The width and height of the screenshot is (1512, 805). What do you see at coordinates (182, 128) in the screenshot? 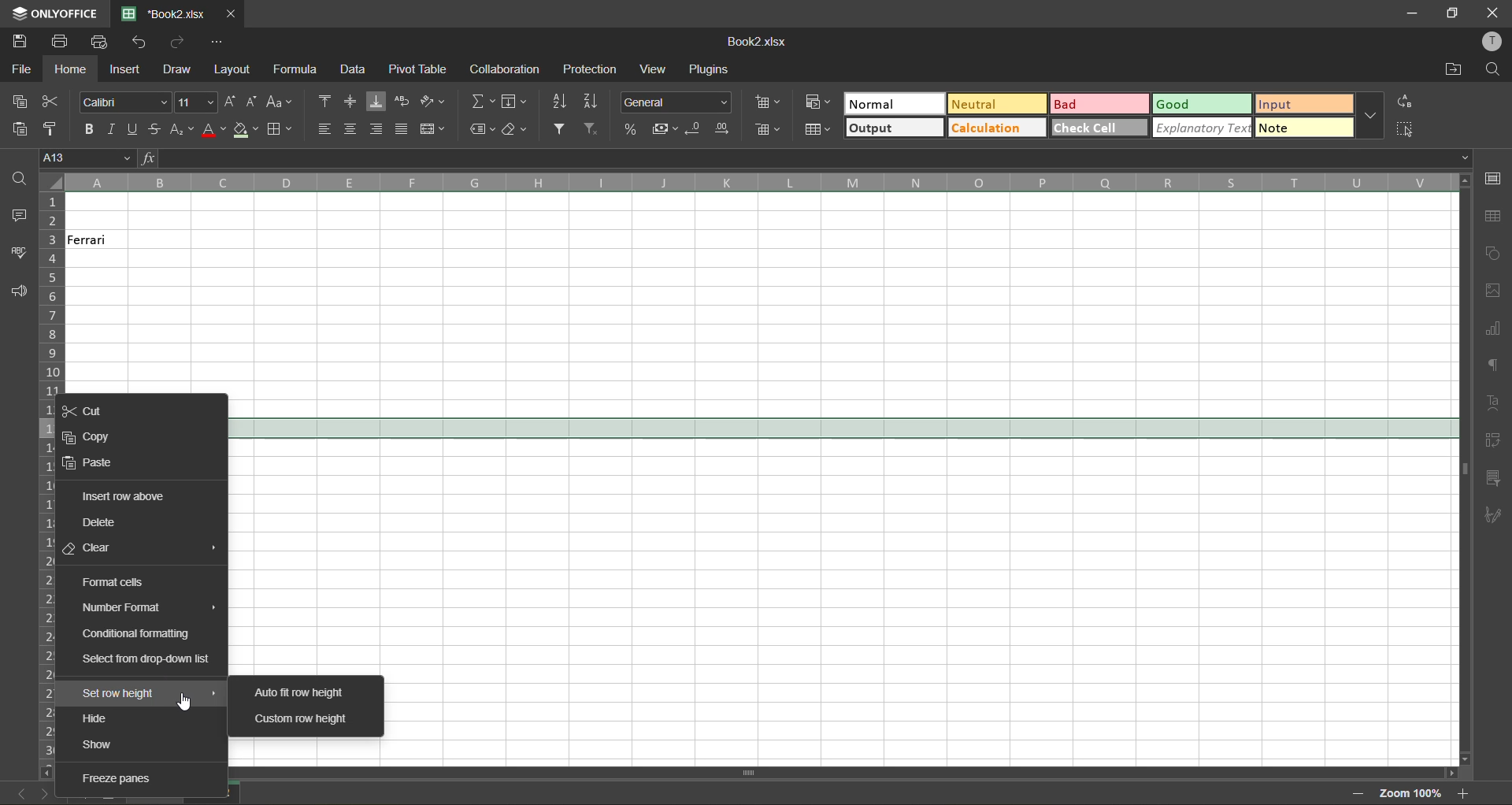
I see `sub/superscript` at bounding box center [182, 128].